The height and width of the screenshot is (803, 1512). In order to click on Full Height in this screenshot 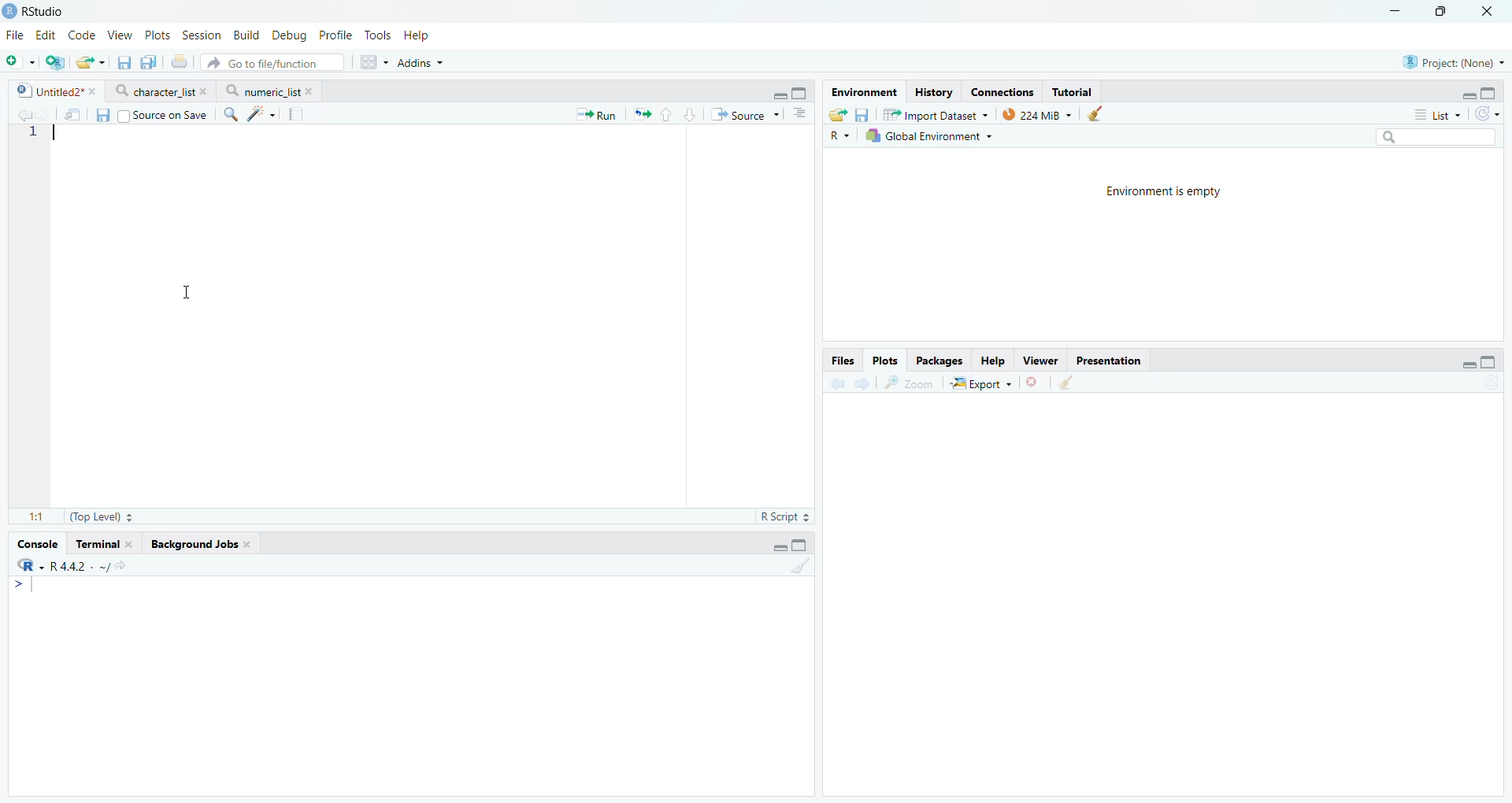, I will do `click(802, 545)`.